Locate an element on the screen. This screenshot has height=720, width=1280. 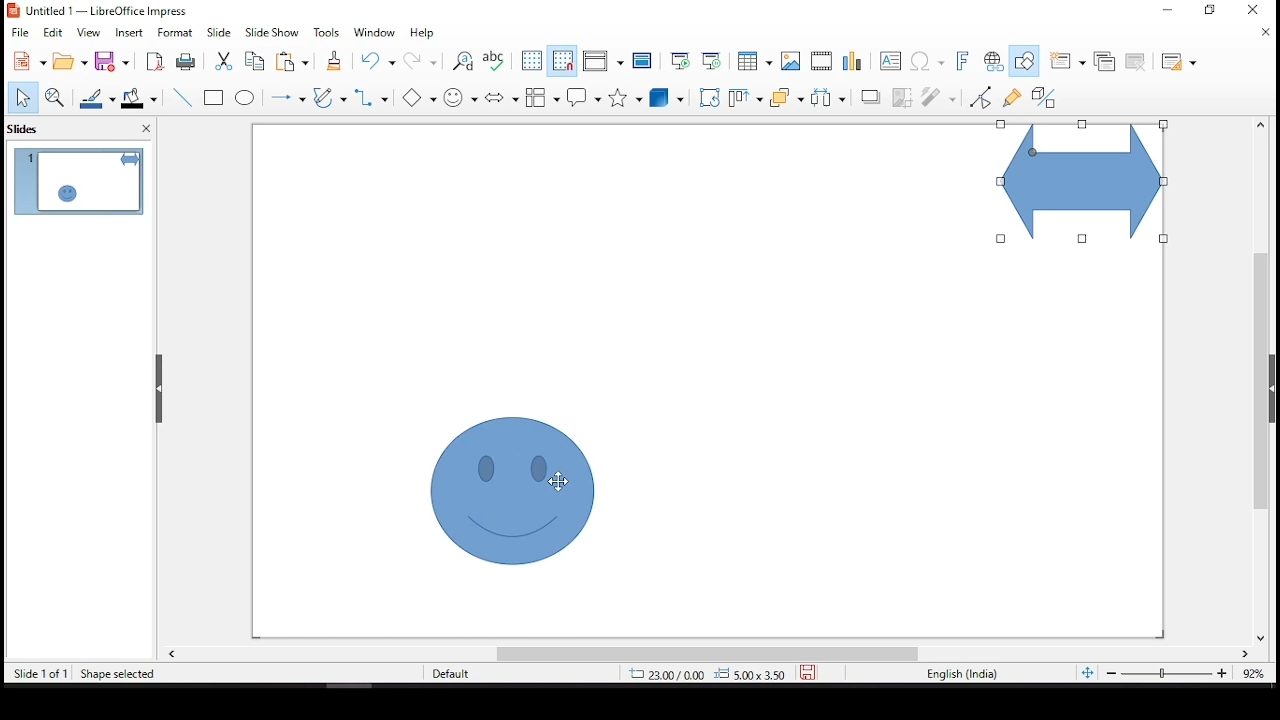
flowchart is located at coordinates (543, 97).